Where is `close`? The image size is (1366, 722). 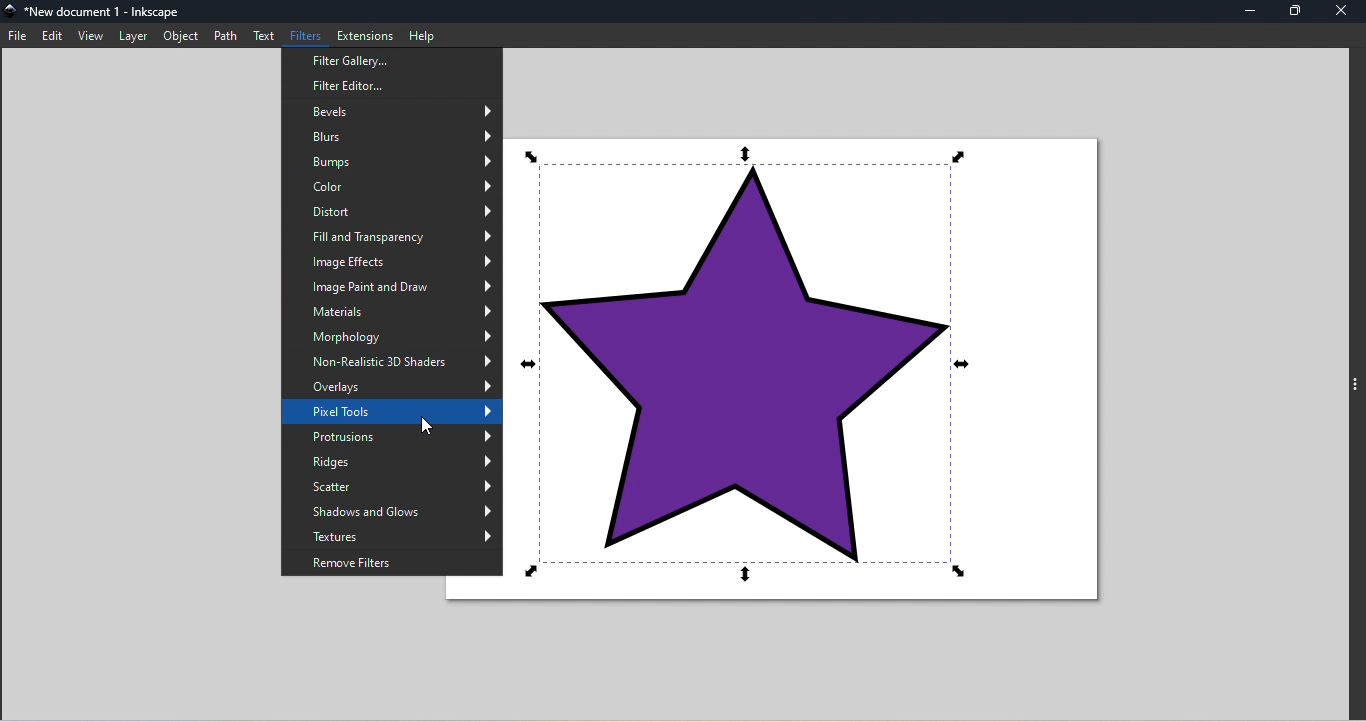
close is located at coordinates (1344, 11).